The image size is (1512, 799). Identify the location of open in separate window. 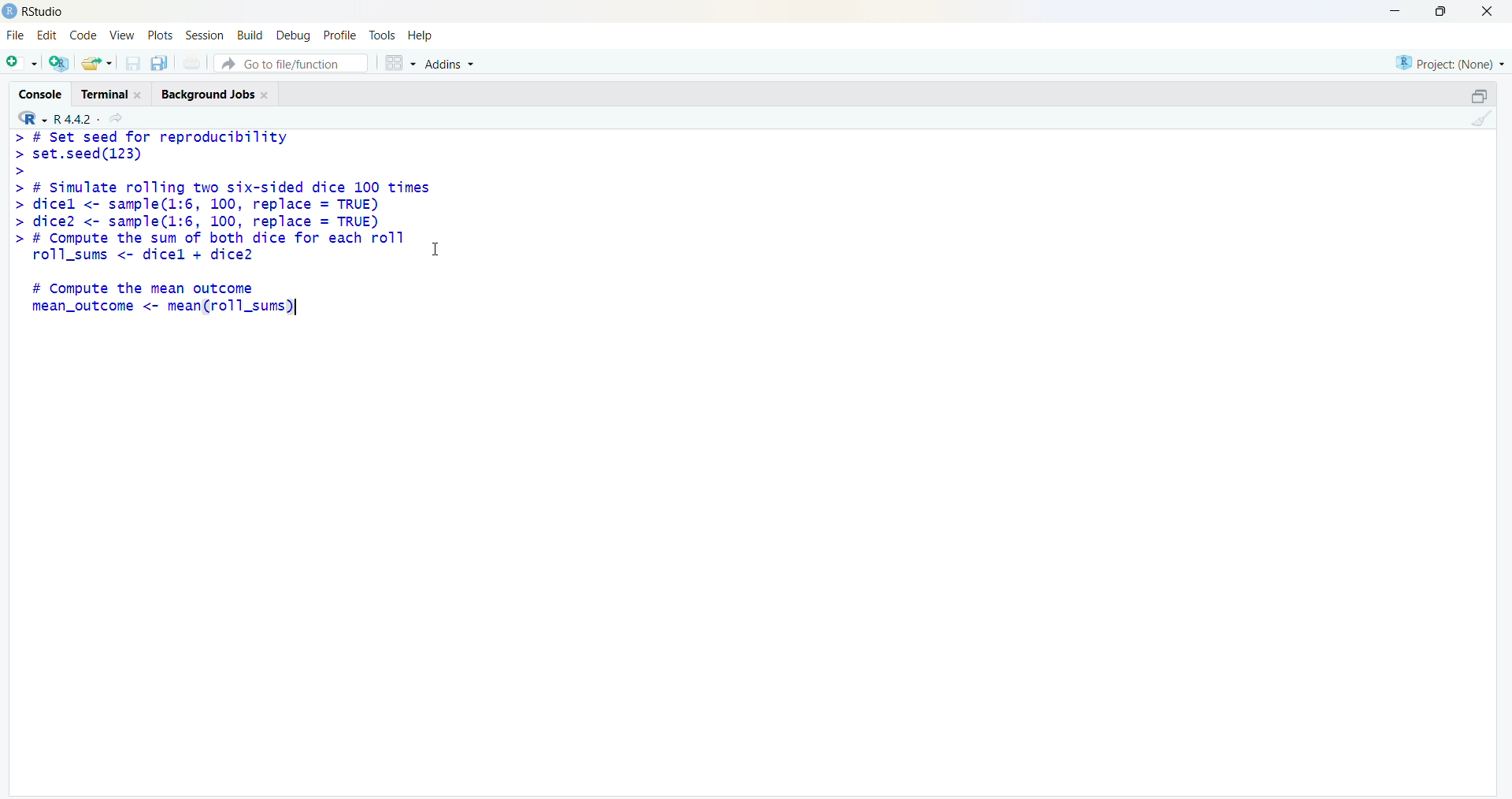
(1480, 96).